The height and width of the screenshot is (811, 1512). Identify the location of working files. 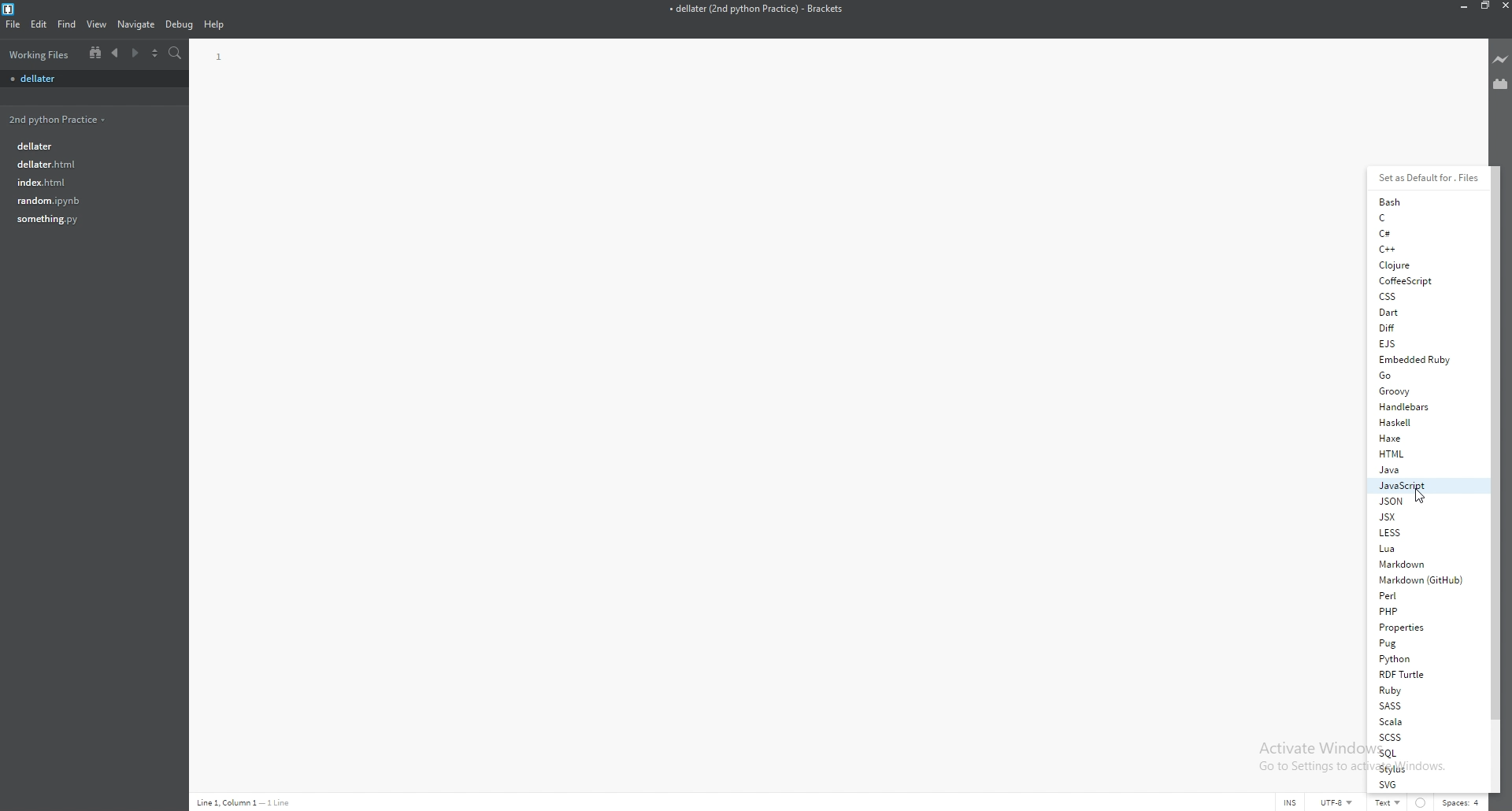
(40, 54).